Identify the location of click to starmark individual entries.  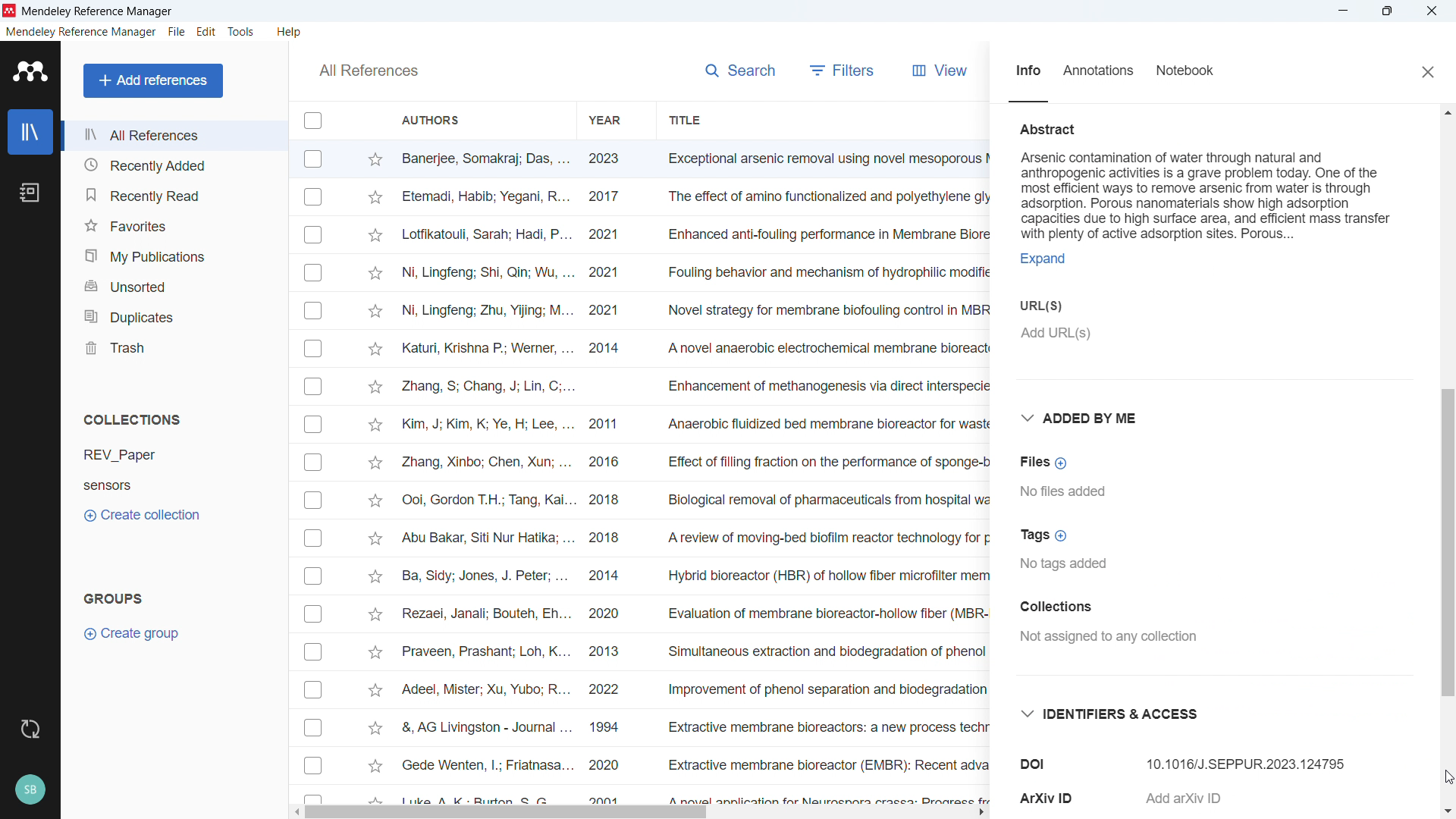
(375, 578).